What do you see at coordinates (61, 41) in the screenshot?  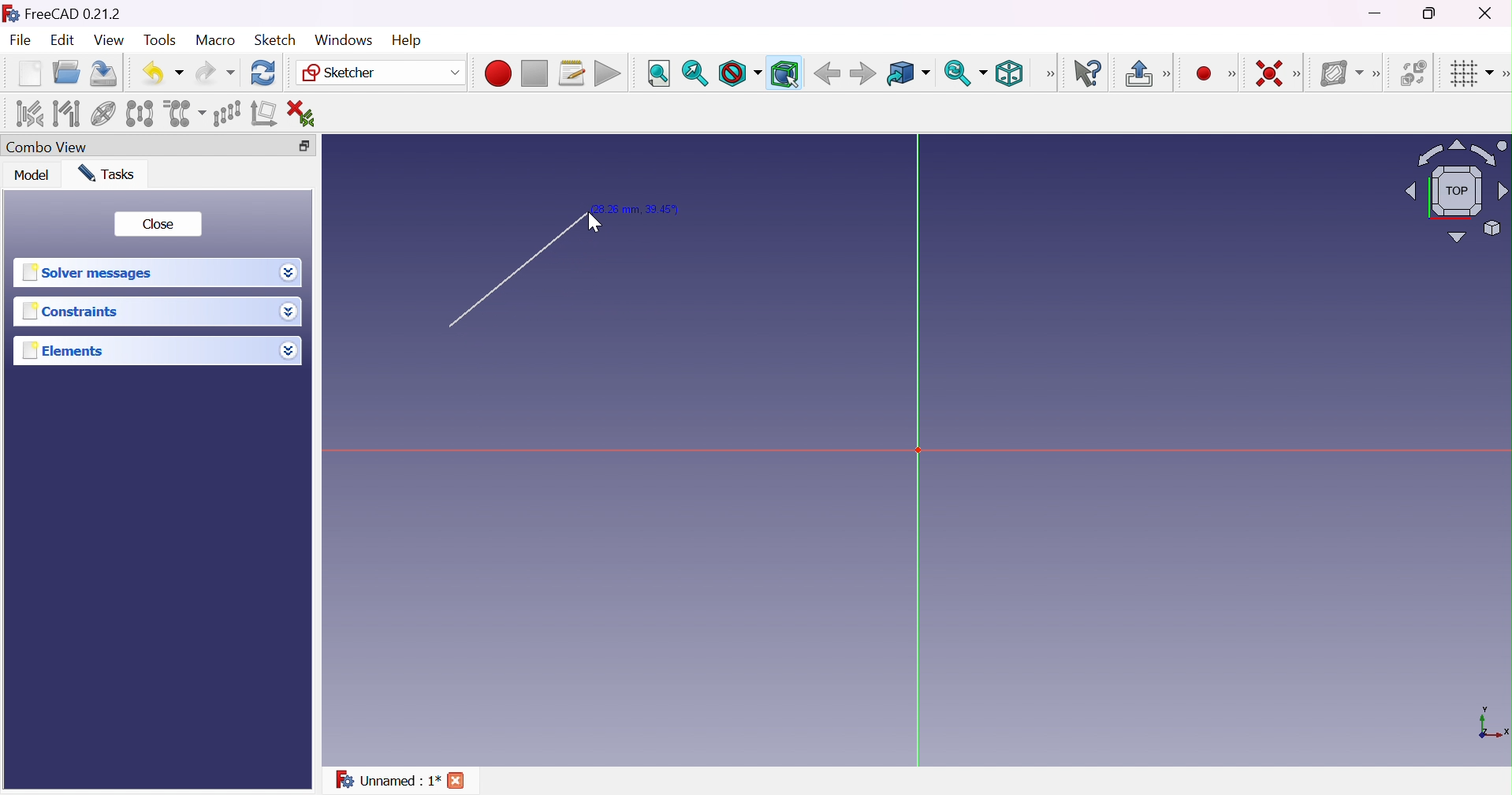 I see `Edit` at bounding box center [61, 41].